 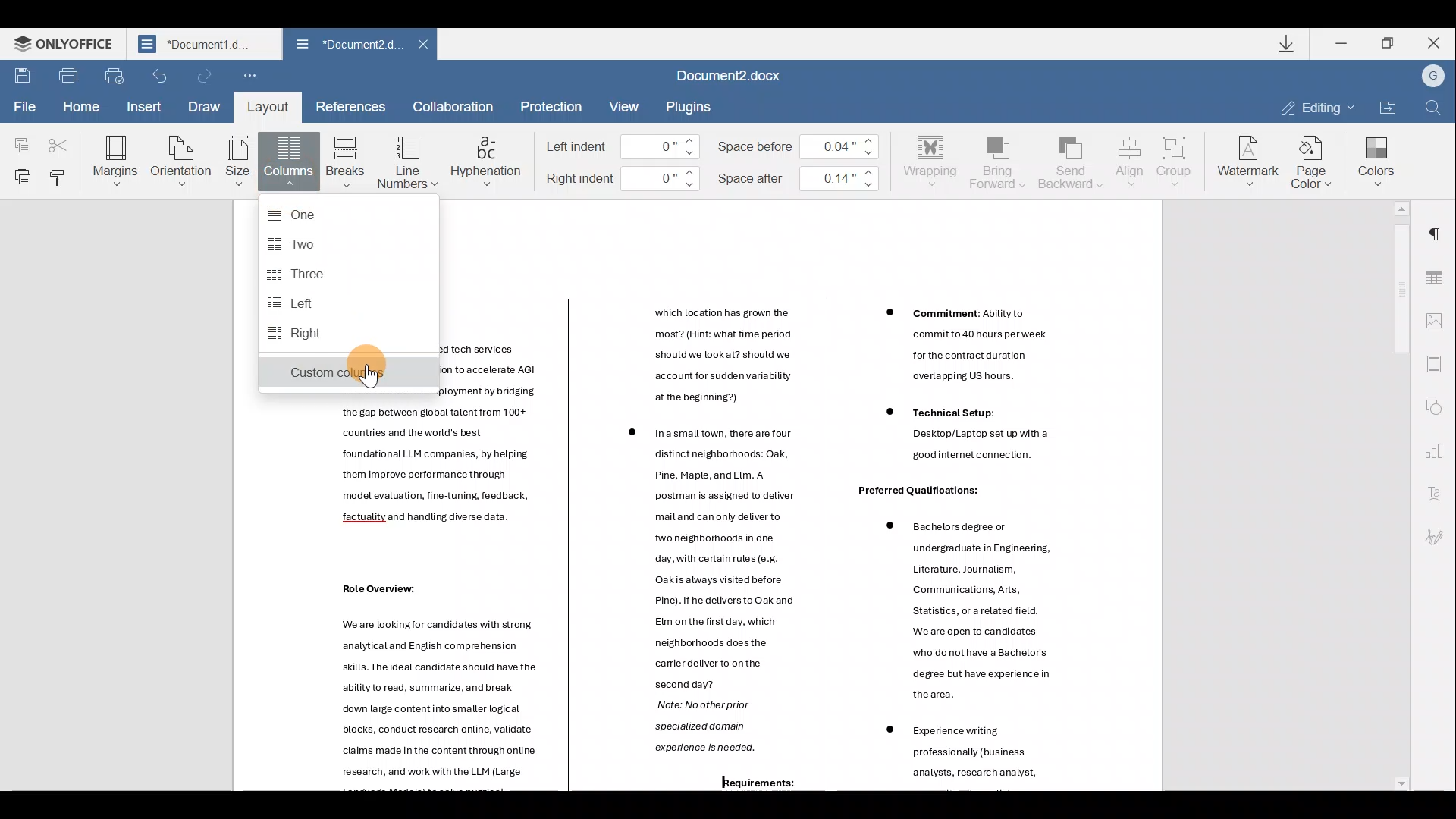 I want to click on Draw, so click(x=205, y=104).